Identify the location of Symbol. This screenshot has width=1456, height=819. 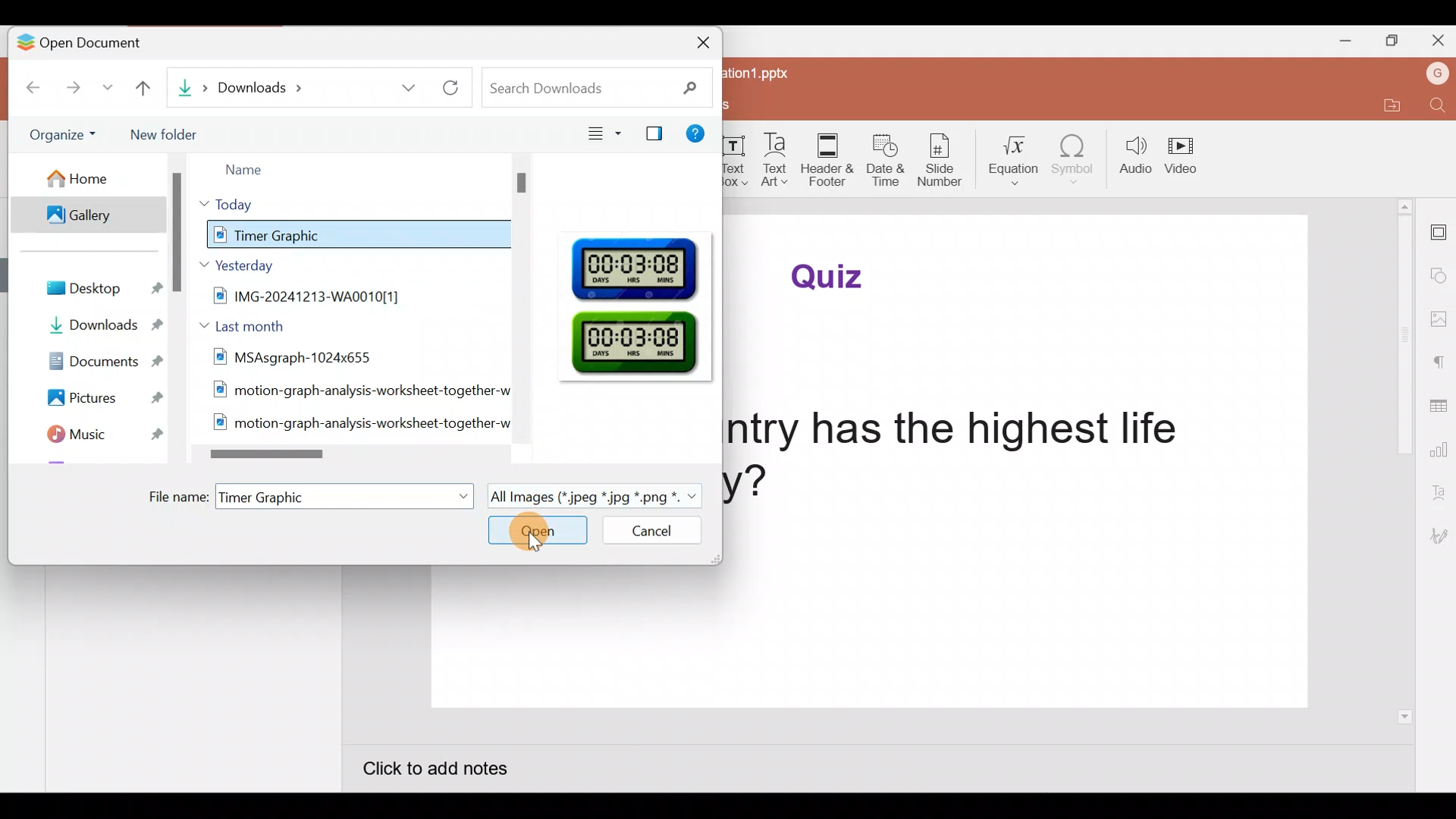
(1077, 158).